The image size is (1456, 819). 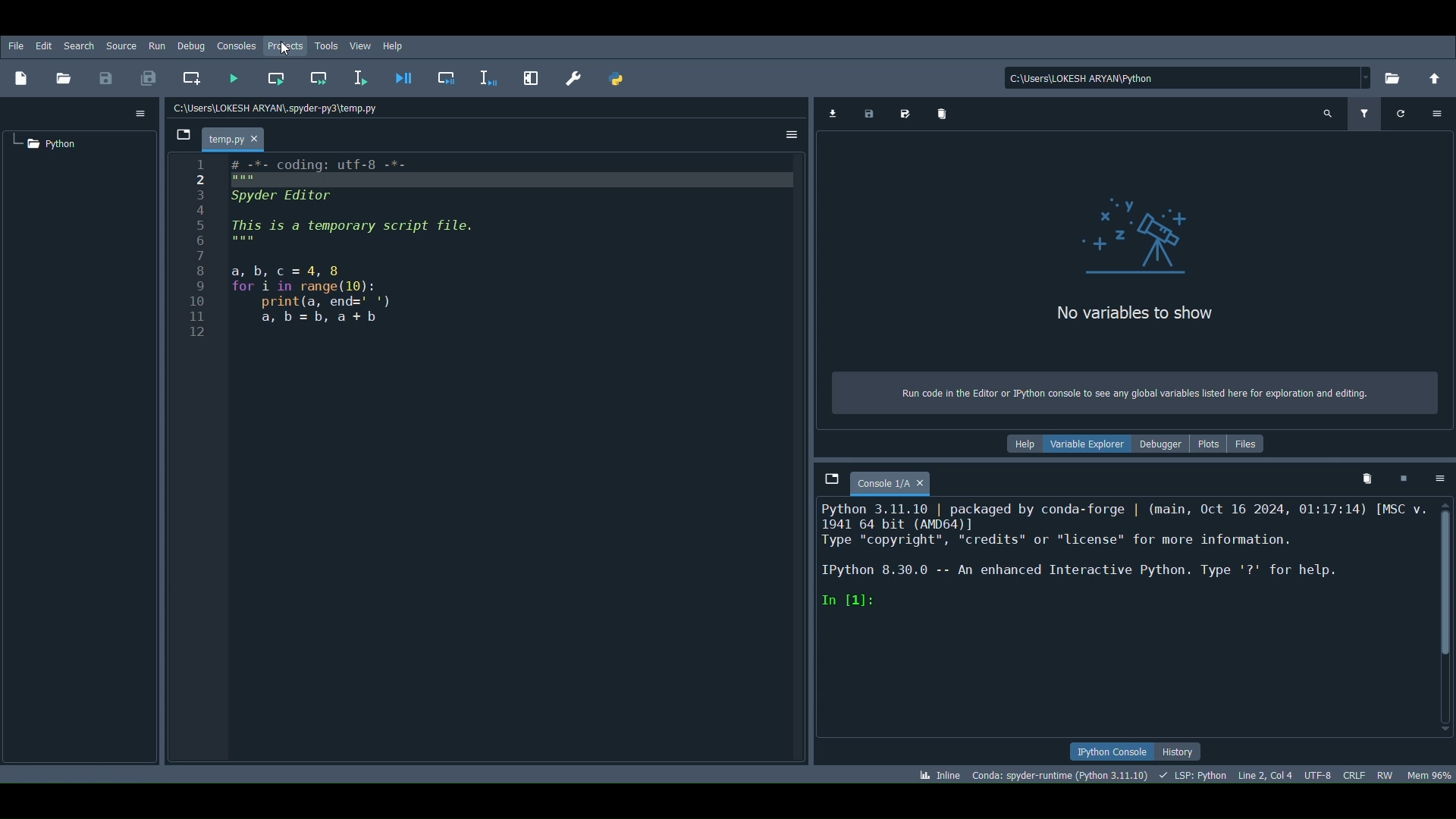 I want to click on Change to parent directory, so click(x=1435, y=80).